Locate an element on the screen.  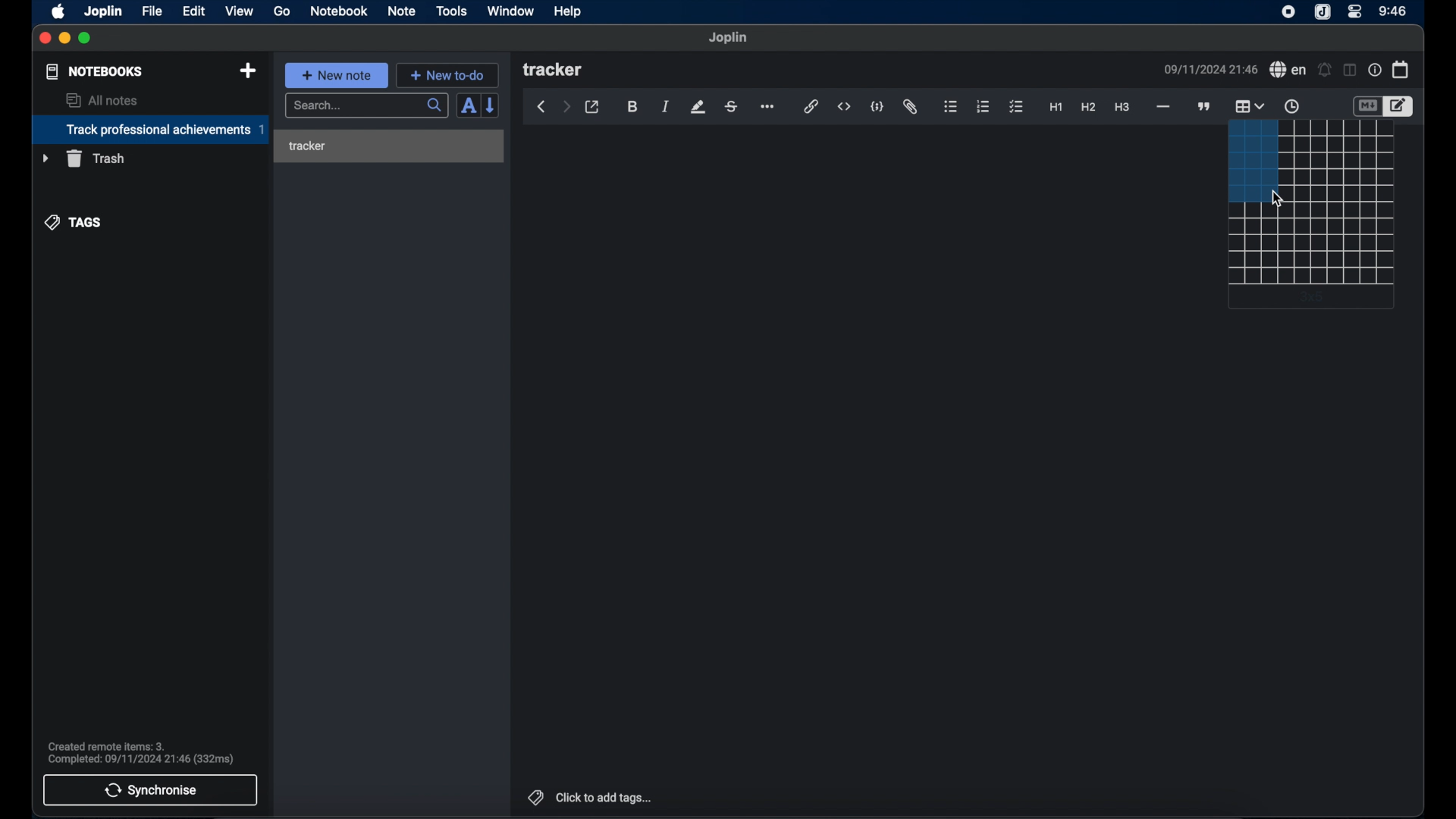
spell check is located at coordinates (1288, 70).